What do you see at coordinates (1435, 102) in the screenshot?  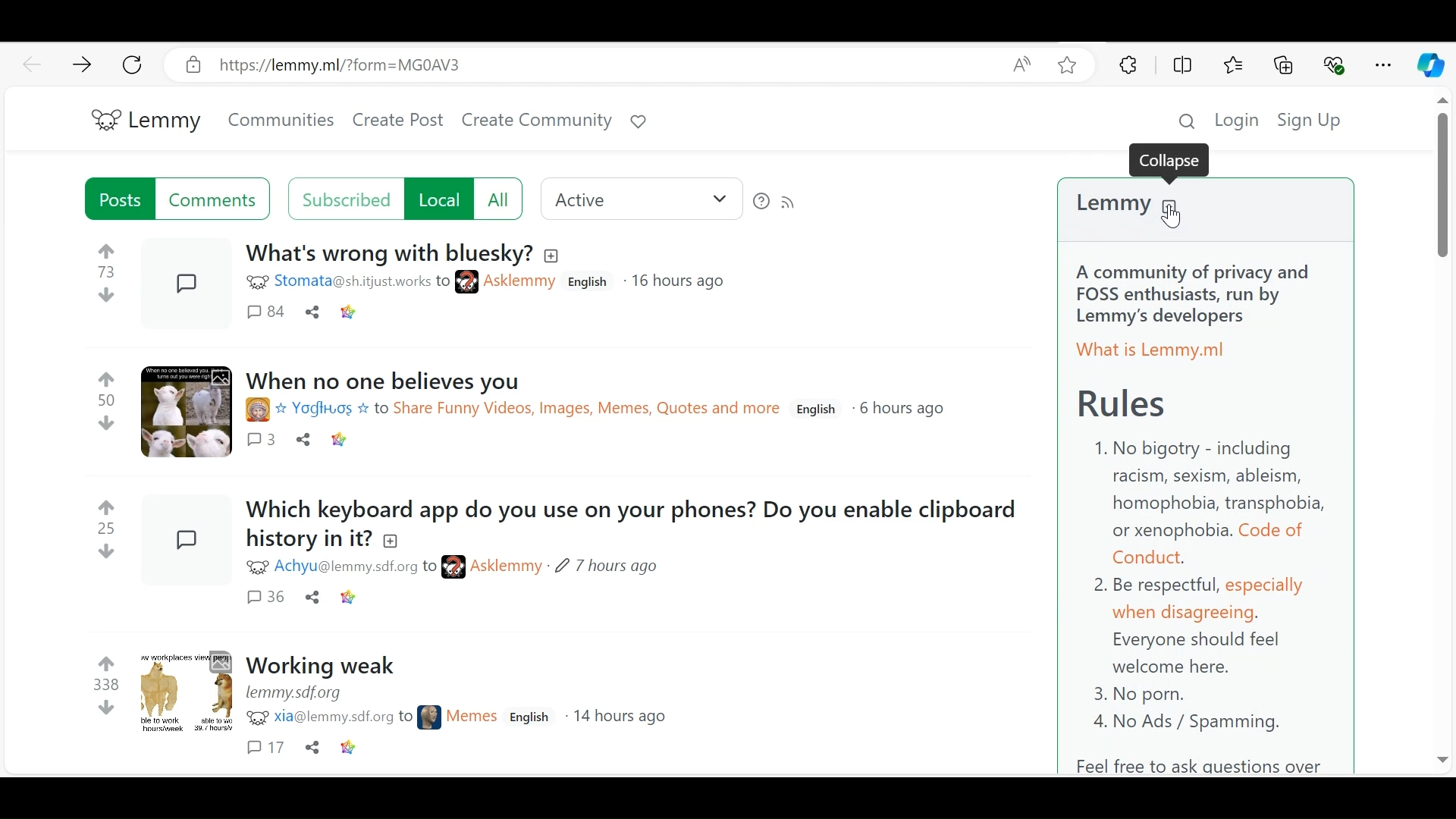 I see `` at bounding box center [1435, 102].